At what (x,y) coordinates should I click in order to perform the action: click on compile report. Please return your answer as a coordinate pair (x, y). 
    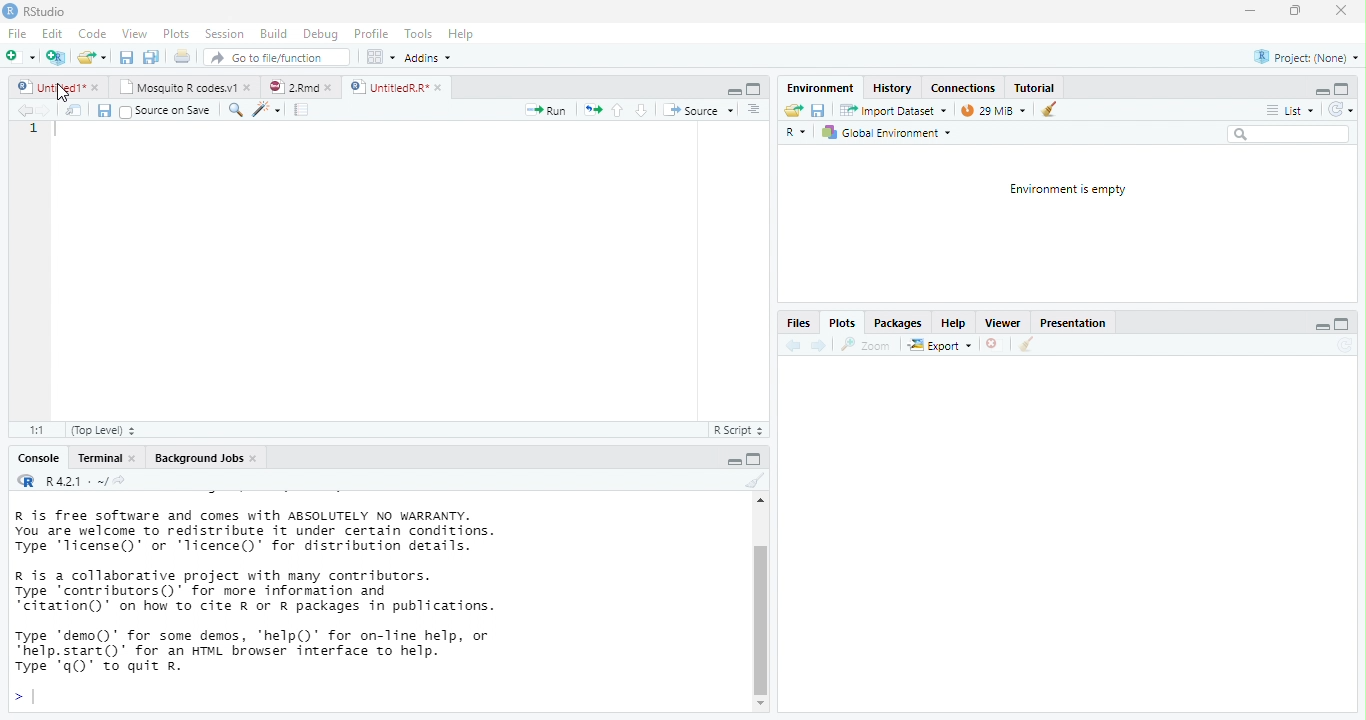
    Looking at the image, I should click on (303, 109).